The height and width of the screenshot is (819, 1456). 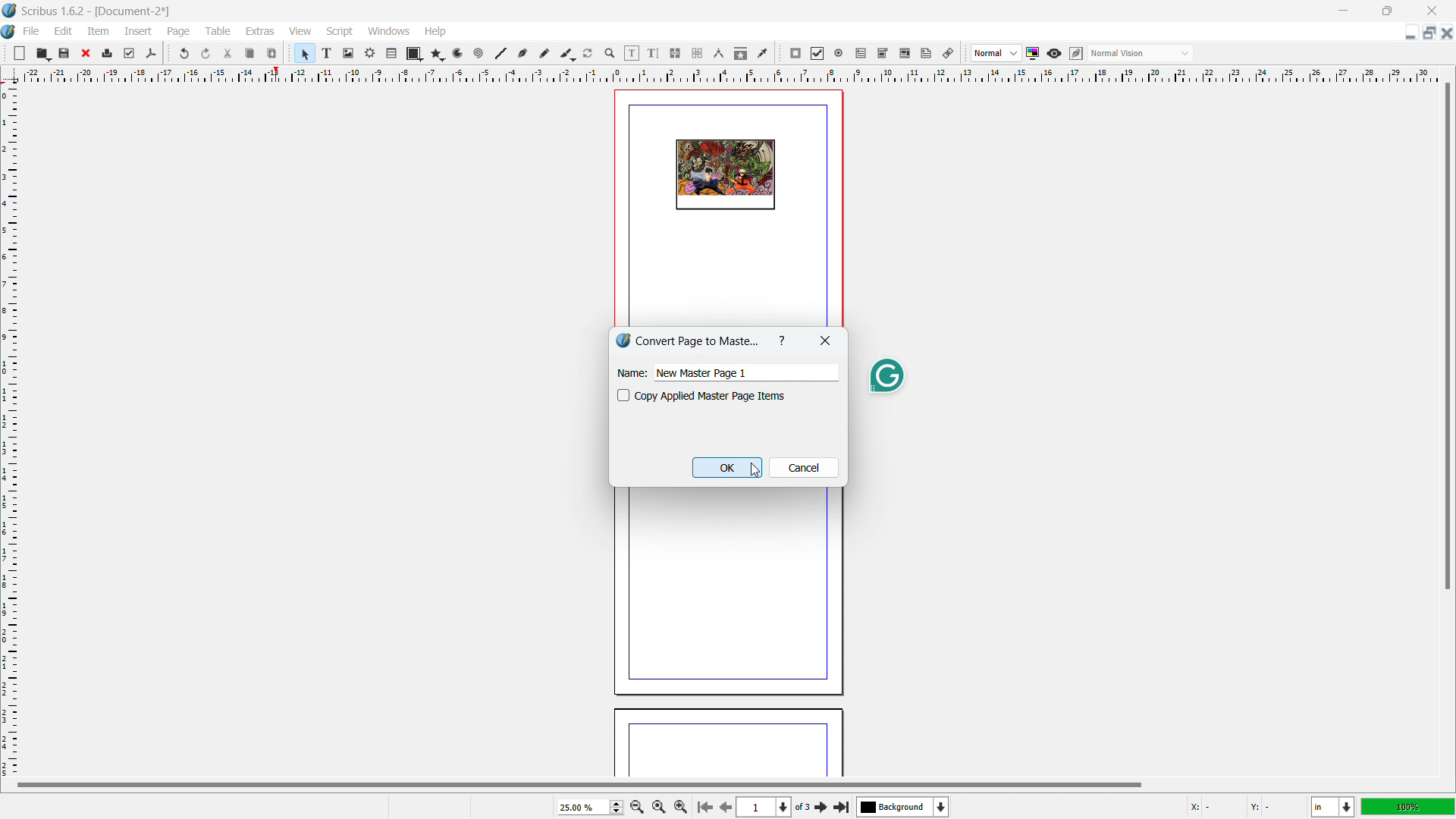 I want to click on Convert Page to Maste..., so click(x=698, y=340).